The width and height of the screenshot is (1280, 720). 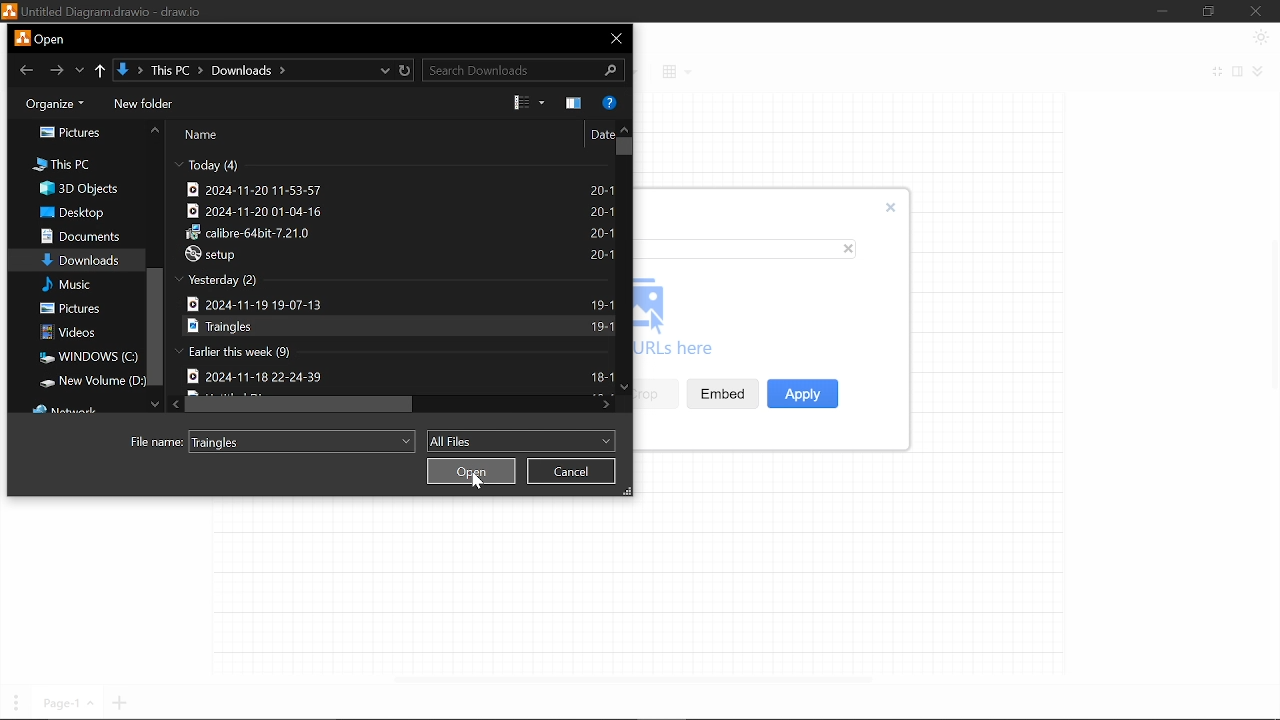 What do you see at coordinates (176, 405) in the screenshot?
I see `Move right in files in "Download"` at bounding box center [176, 405].